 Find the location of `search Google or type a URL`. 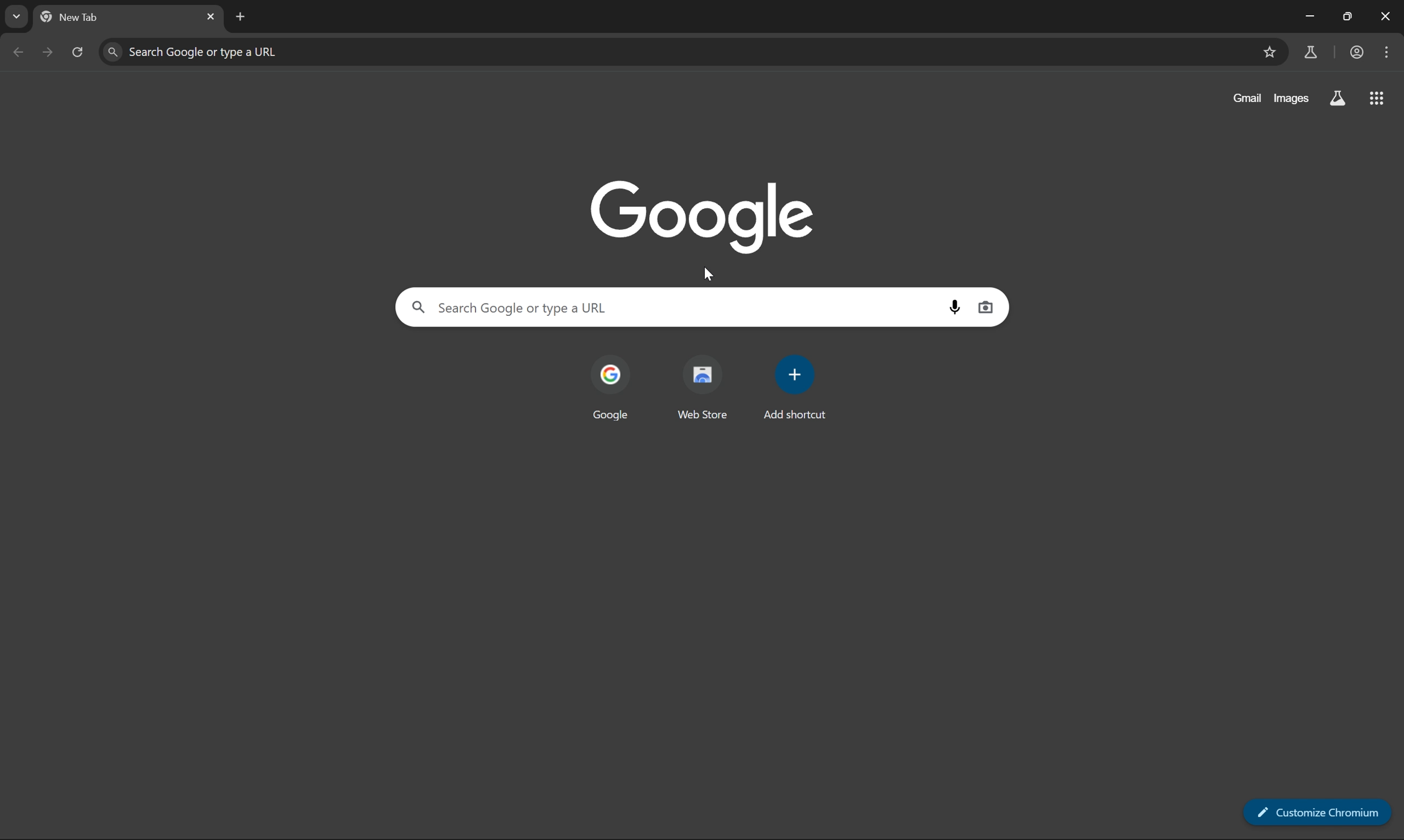

search Google or type a URL is located at coordinates (666, 307).